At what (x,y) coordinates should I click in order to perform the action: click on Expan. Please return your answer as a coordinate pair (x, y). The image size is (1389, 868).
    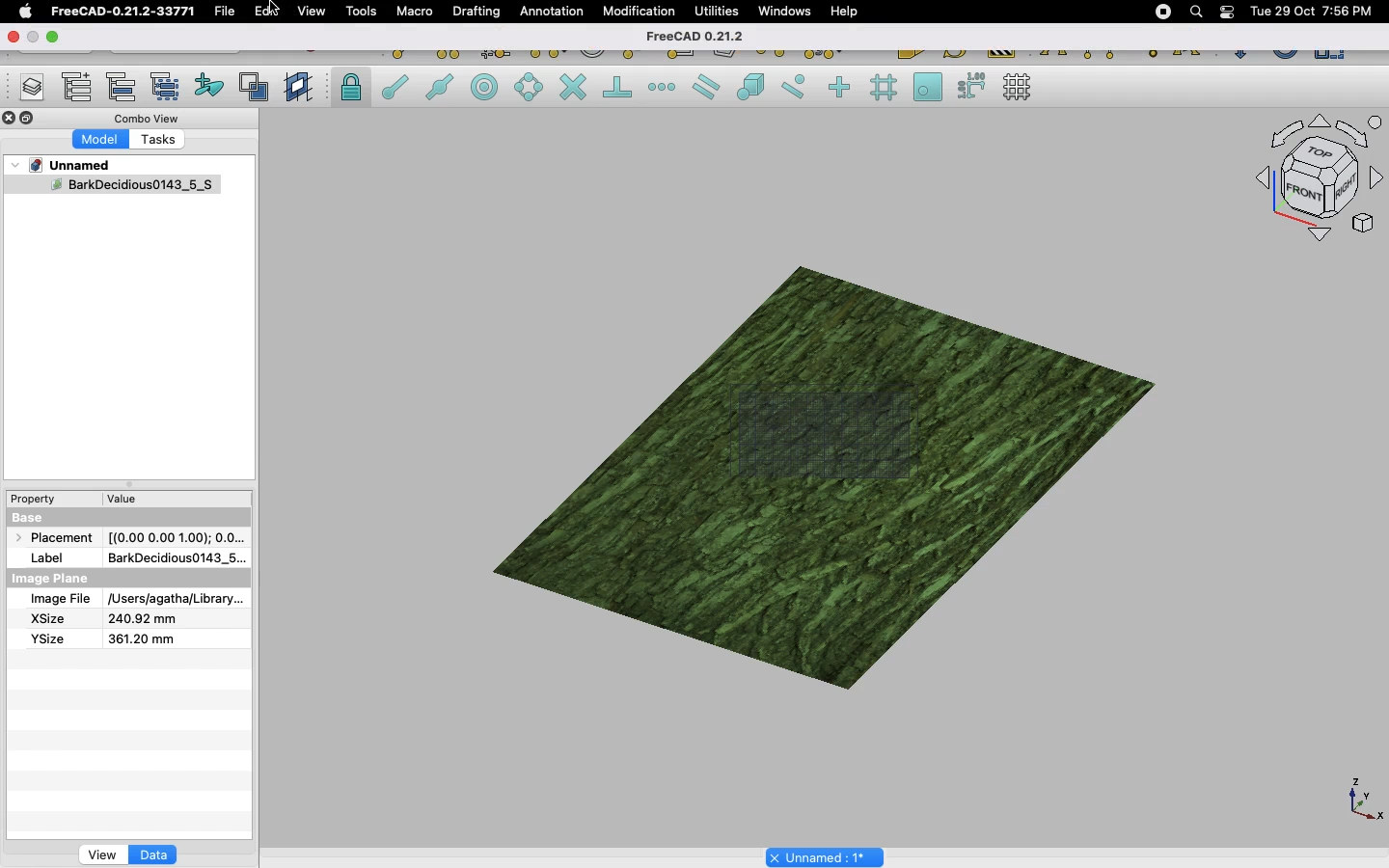
    Looking at the image, I should click on (131, 487).